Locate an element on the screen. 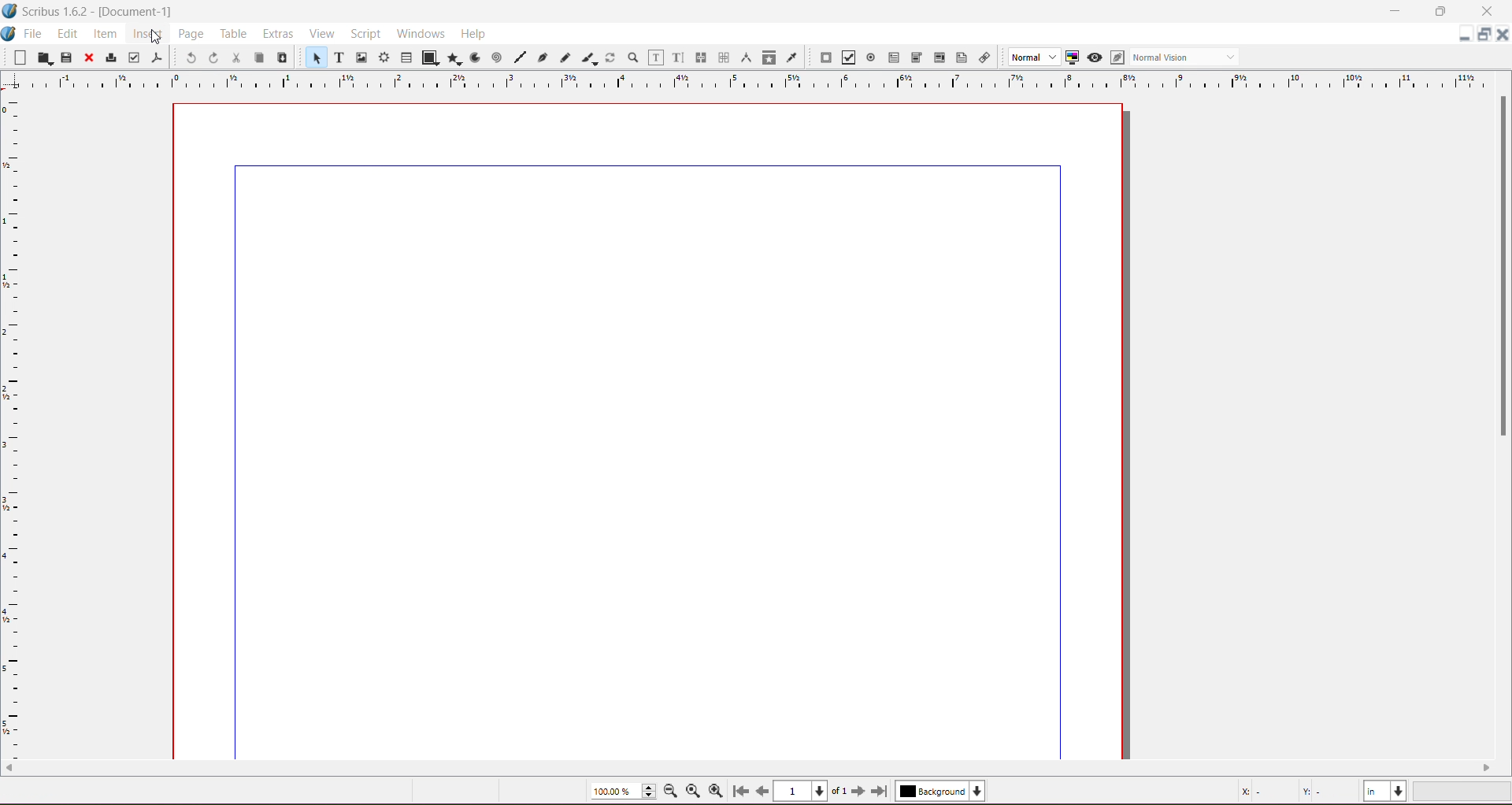  Item is located at coordinates (104, 35).